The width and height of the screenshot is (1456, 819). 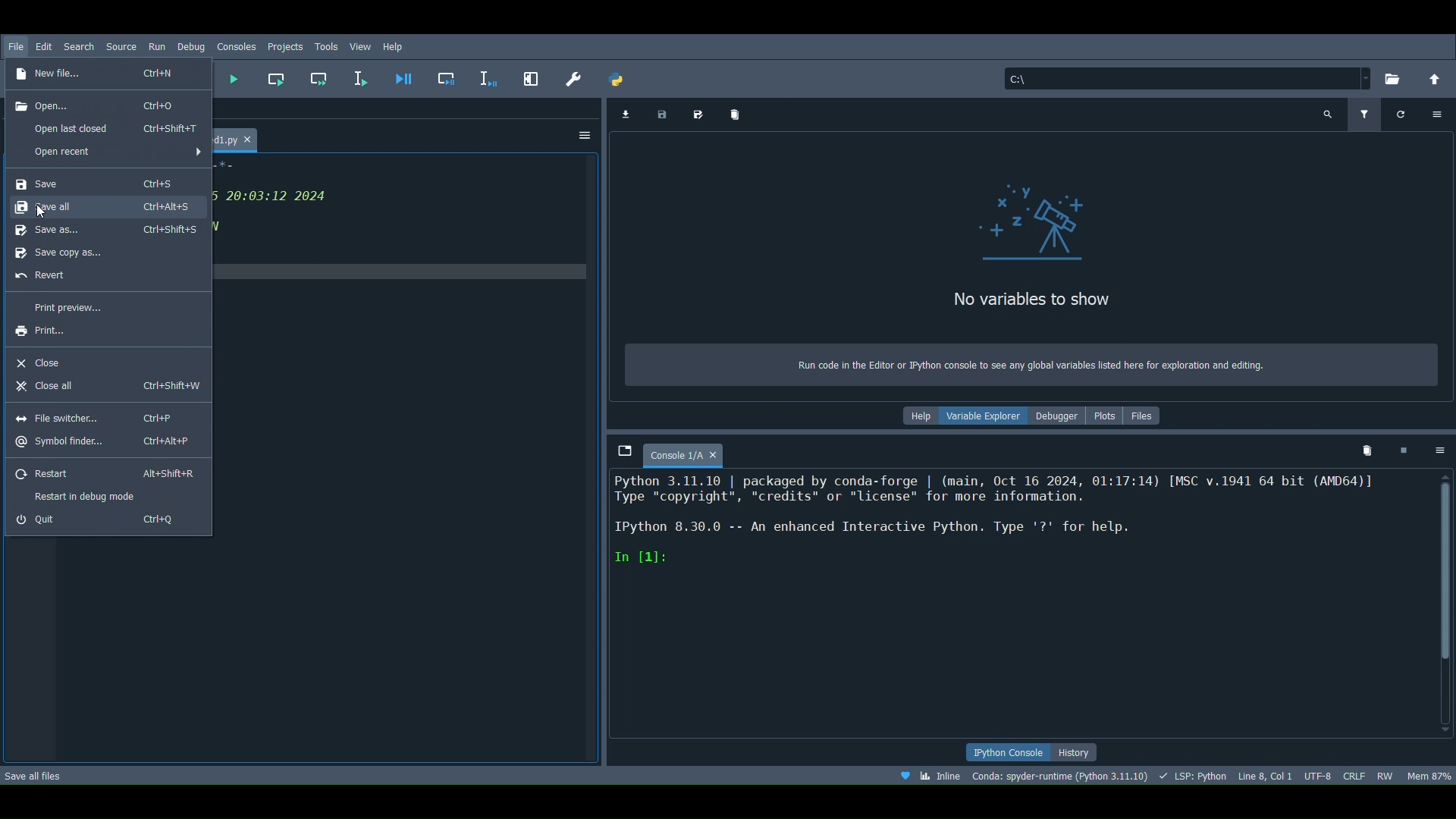 I want to click on File EOL Status, so click(x=1355, y=773).